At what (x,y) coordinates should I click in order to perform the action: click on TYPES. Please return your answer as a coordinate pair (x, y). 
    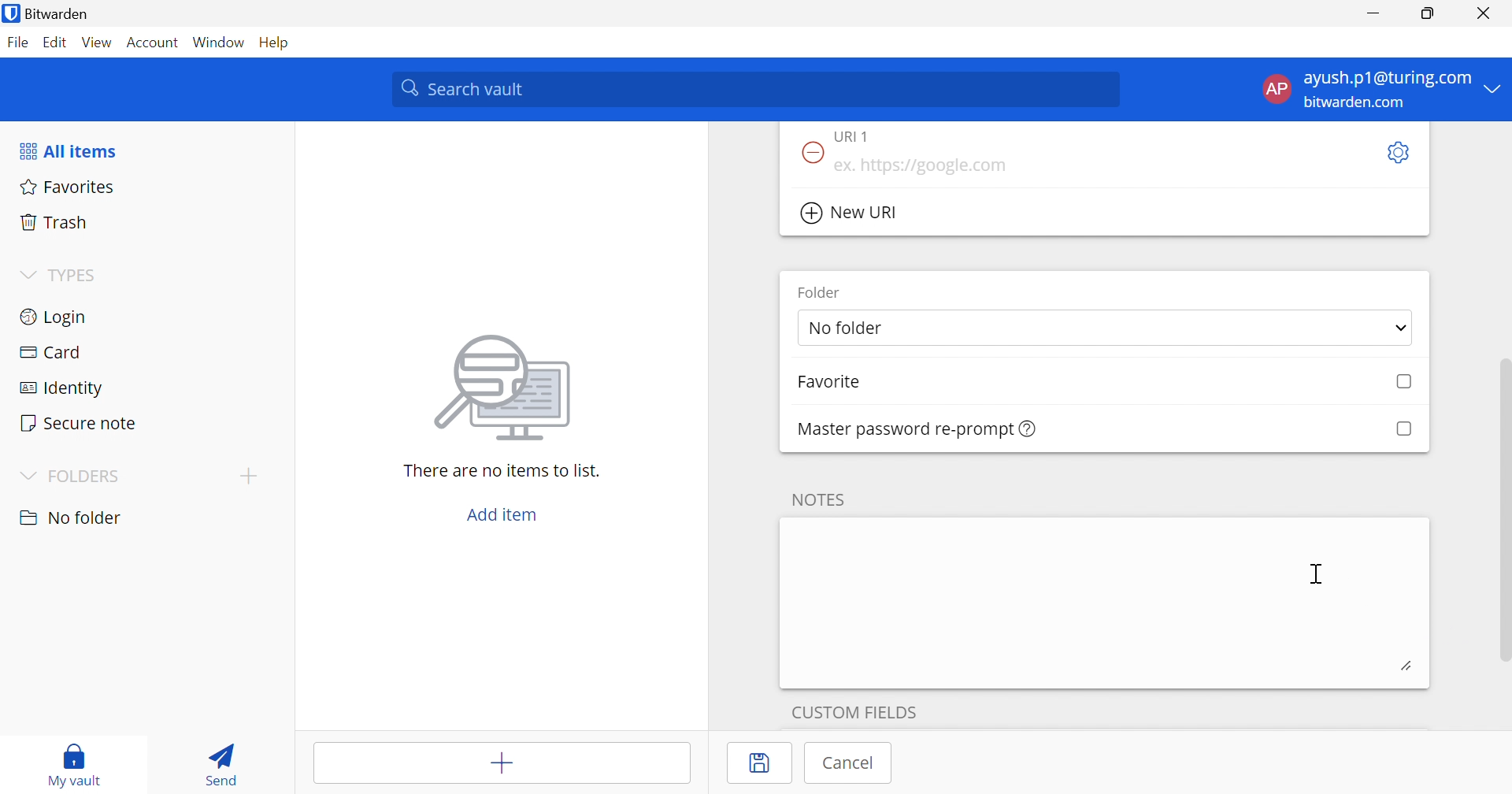
    Looking at the image, I should click on (76, 278).